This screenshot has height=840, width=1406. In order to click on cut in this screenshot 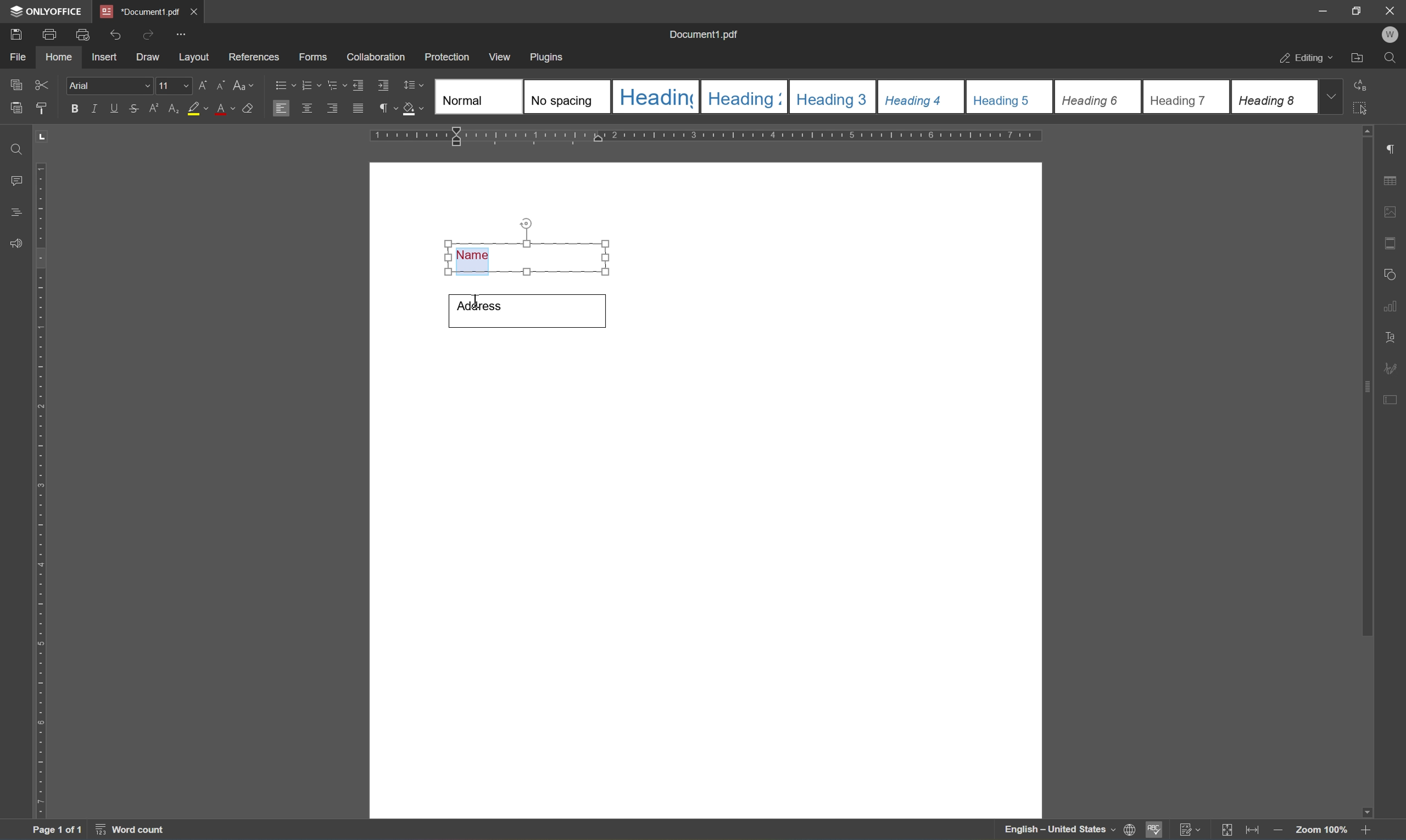, I will do `click(45, 84)`.